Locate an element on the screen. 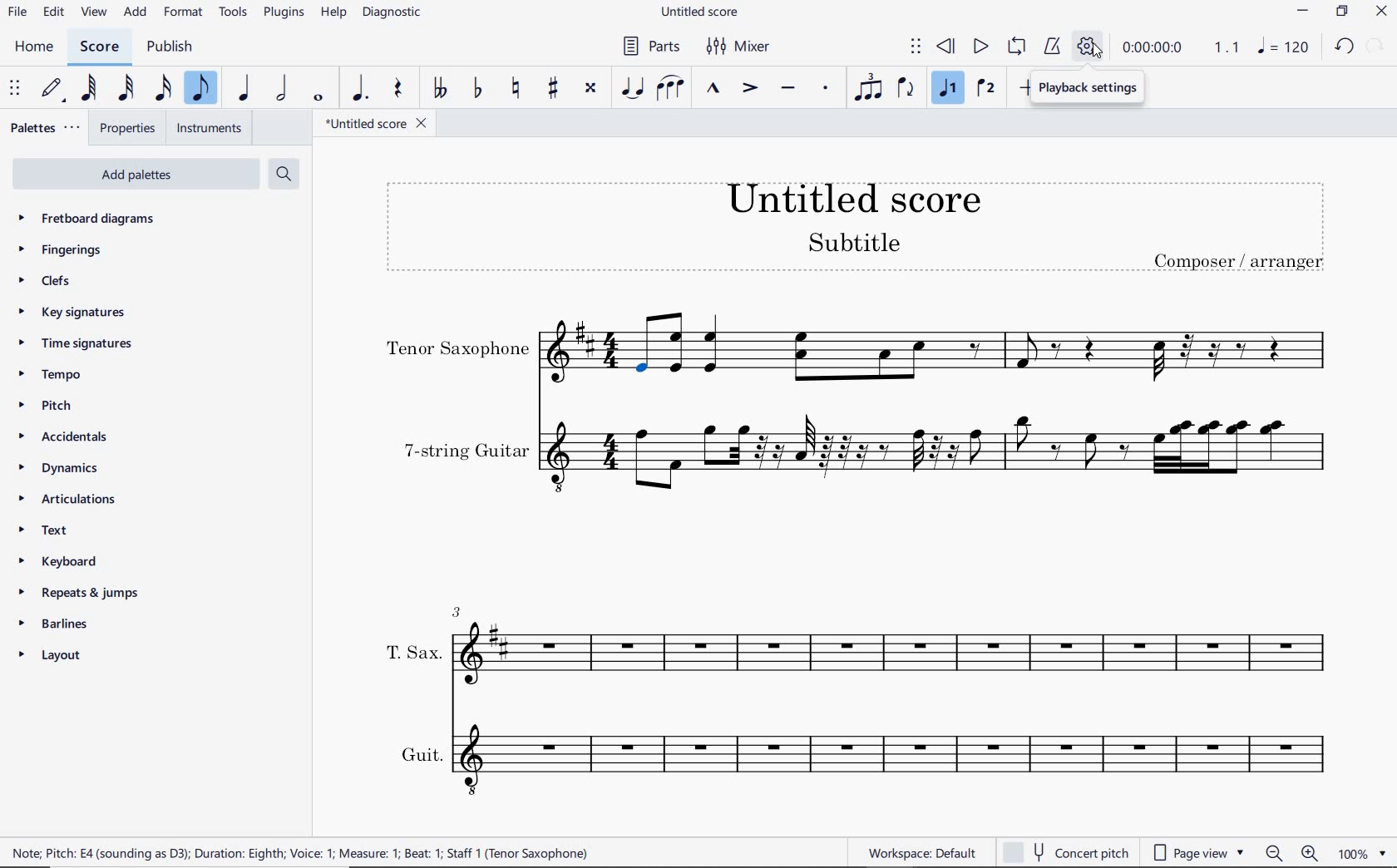 The image size is (1397, 868). ARTICULATIONS is located at coordinates (67, 499).